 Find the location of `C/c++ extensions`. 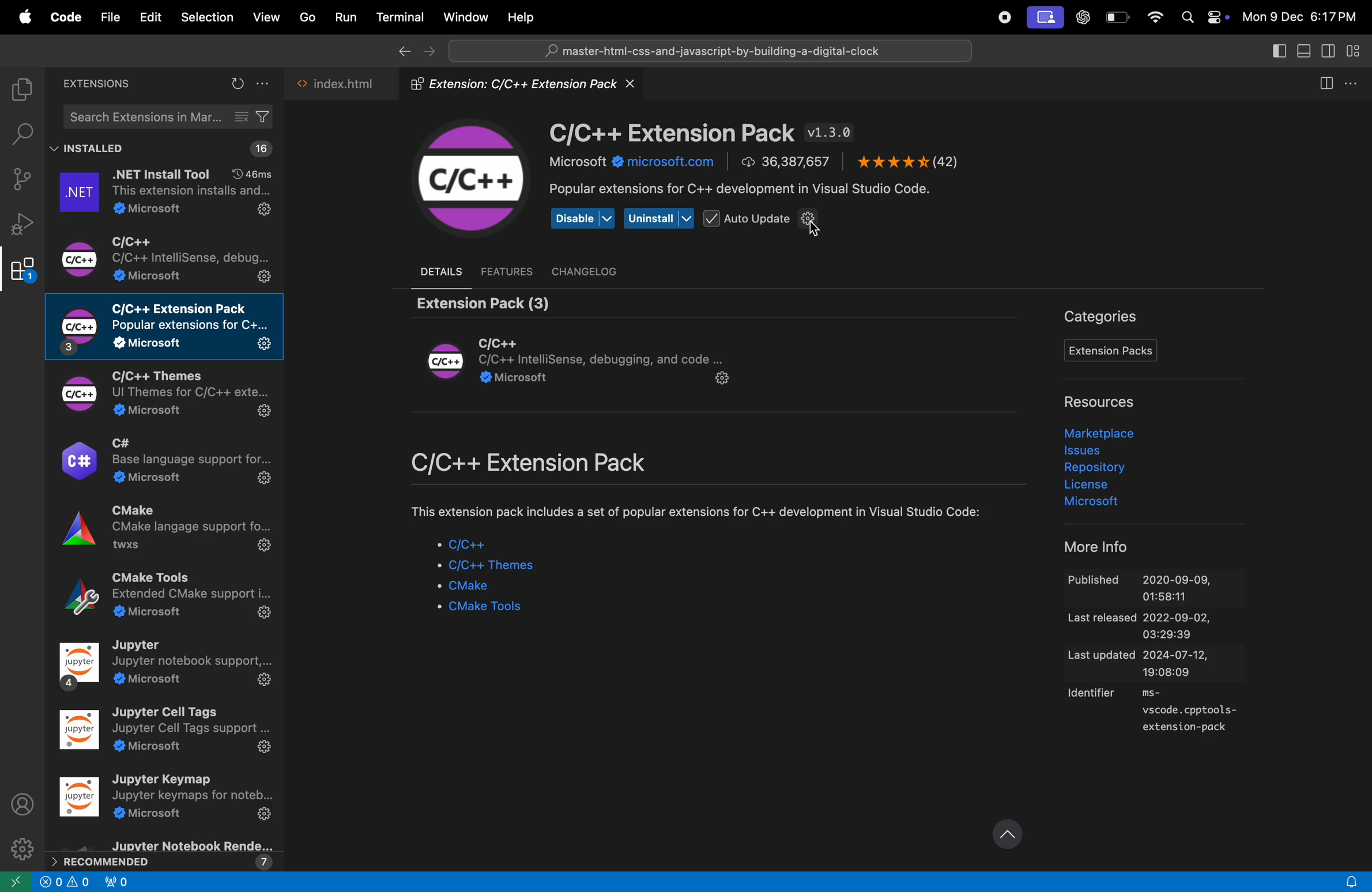

C/c++ extensions is located at coordinates (554, 464).